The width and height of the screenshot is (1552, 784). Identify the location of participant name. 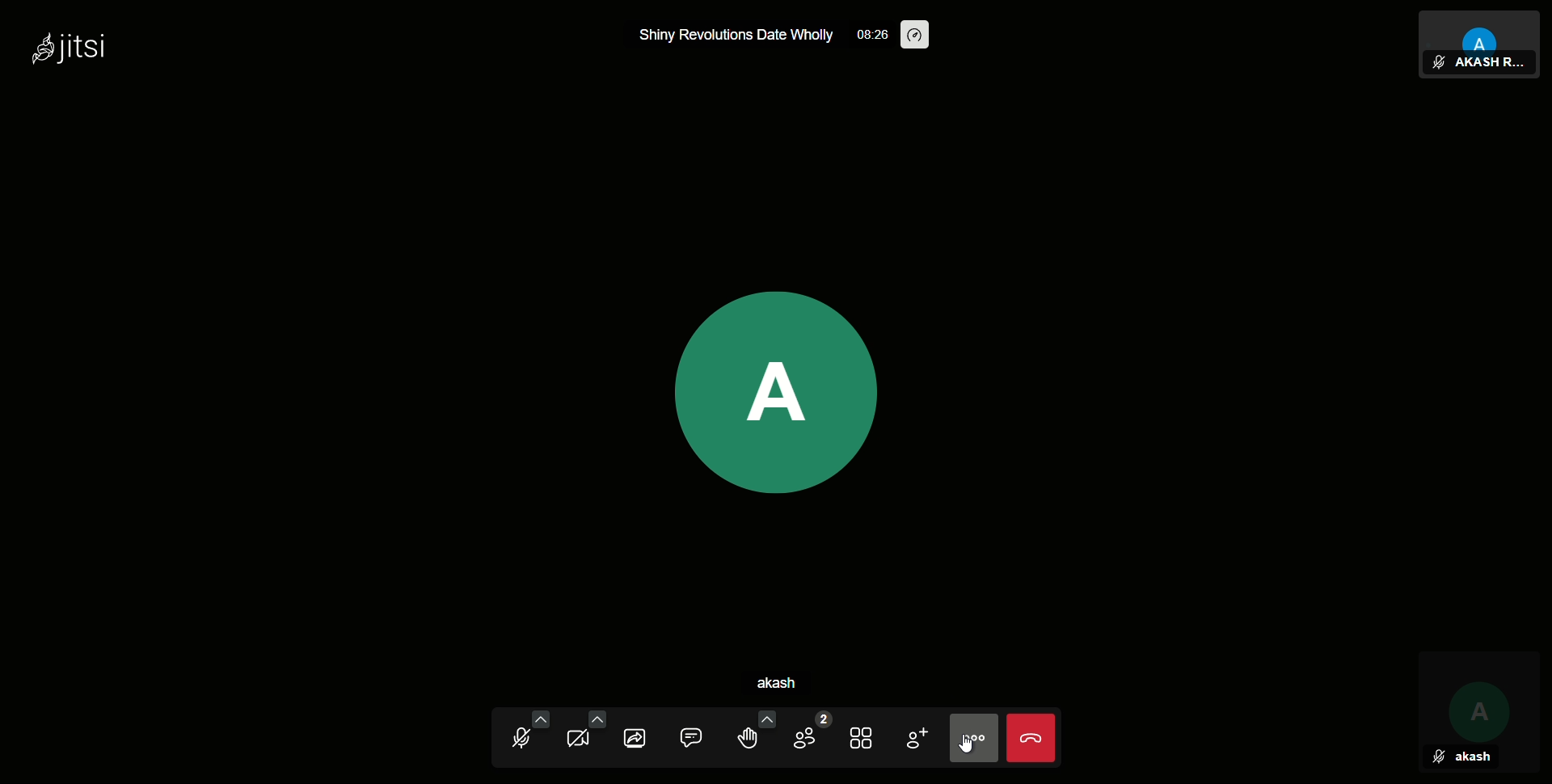
(1487, 64).